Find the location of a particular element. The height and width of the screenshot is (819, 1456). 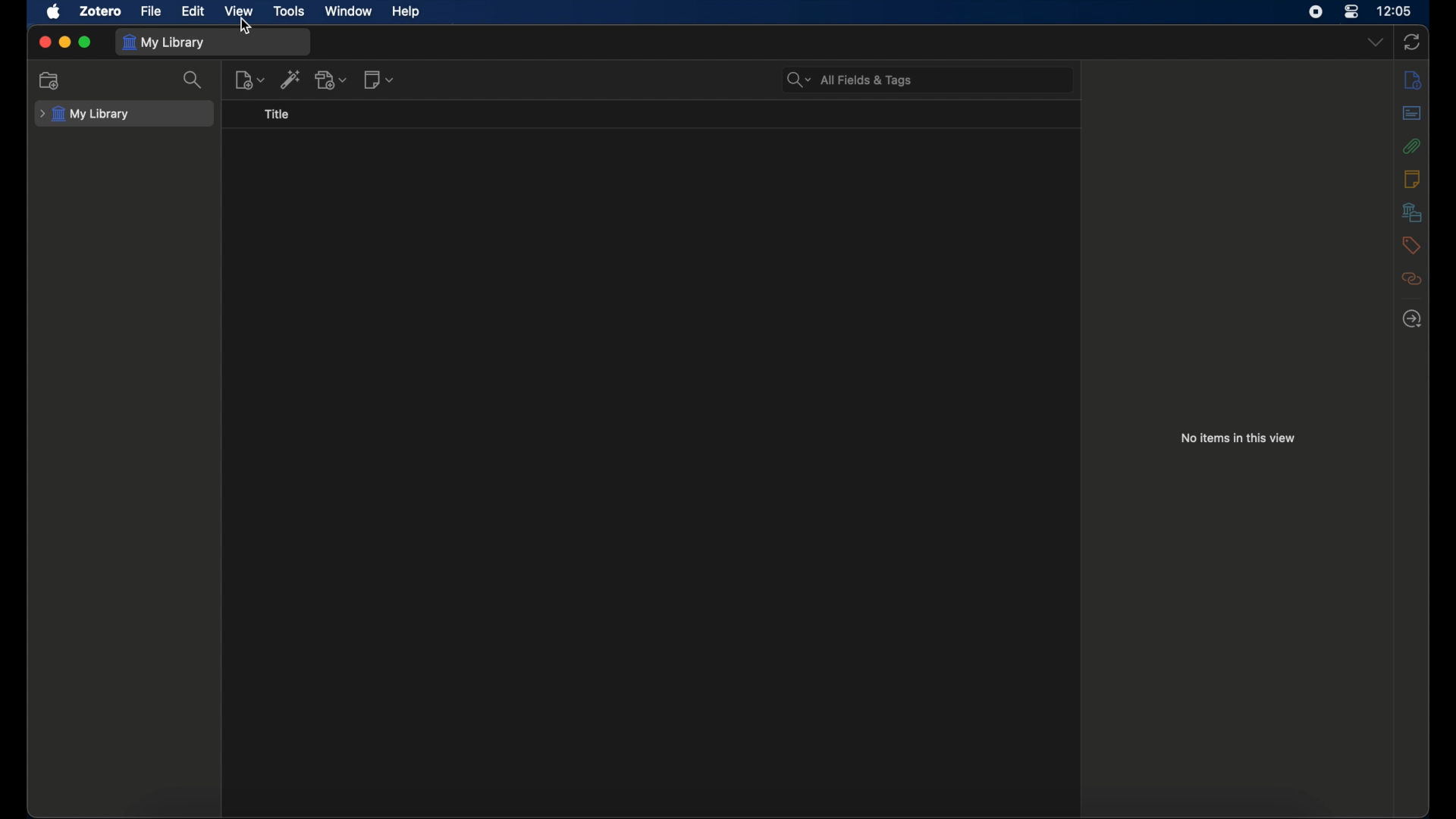

no items in this view is located at coordinates (1238, 438).